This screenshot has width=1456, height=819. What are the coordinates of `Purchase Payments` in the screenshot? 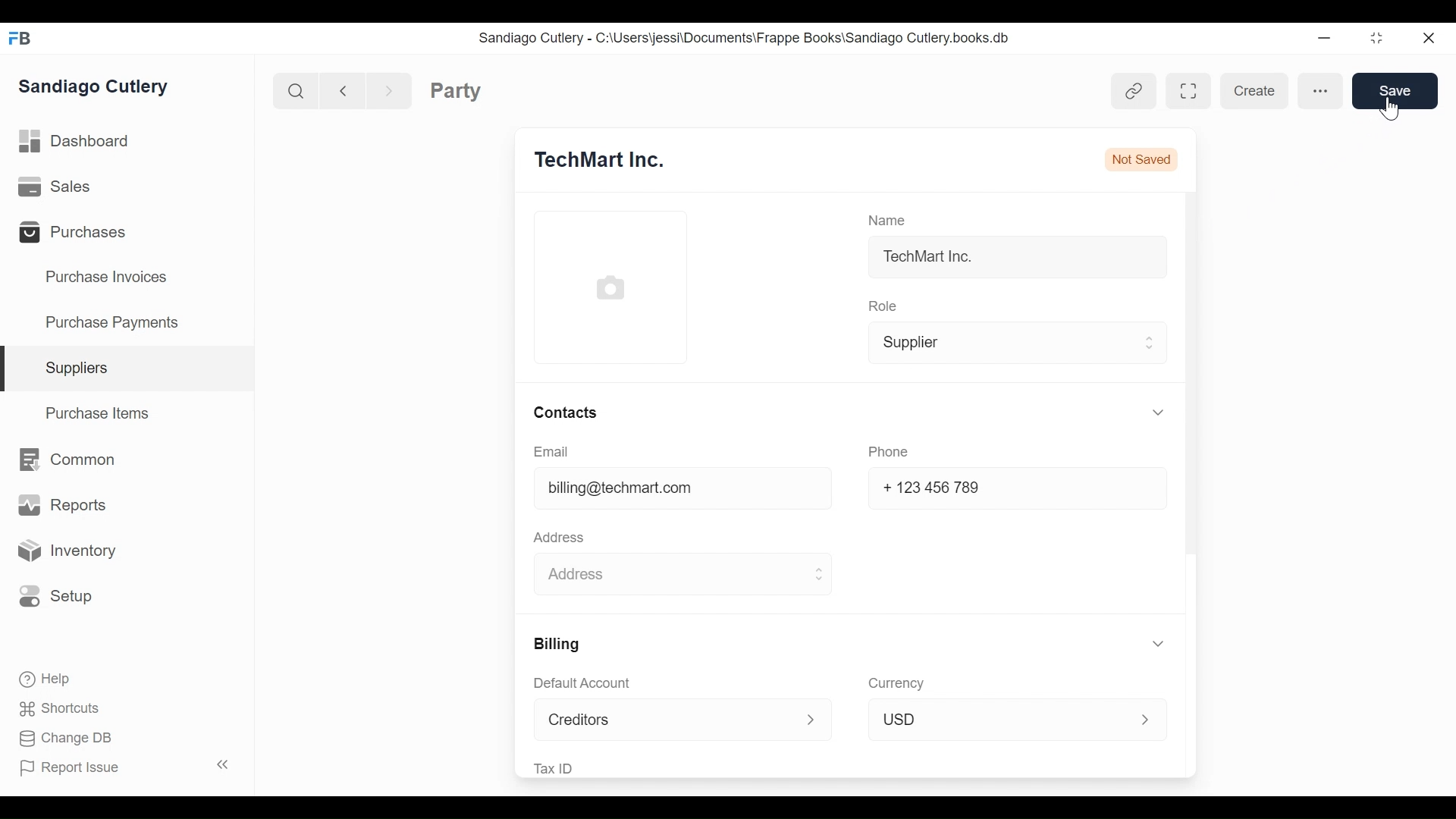 It's located at (115, 321).